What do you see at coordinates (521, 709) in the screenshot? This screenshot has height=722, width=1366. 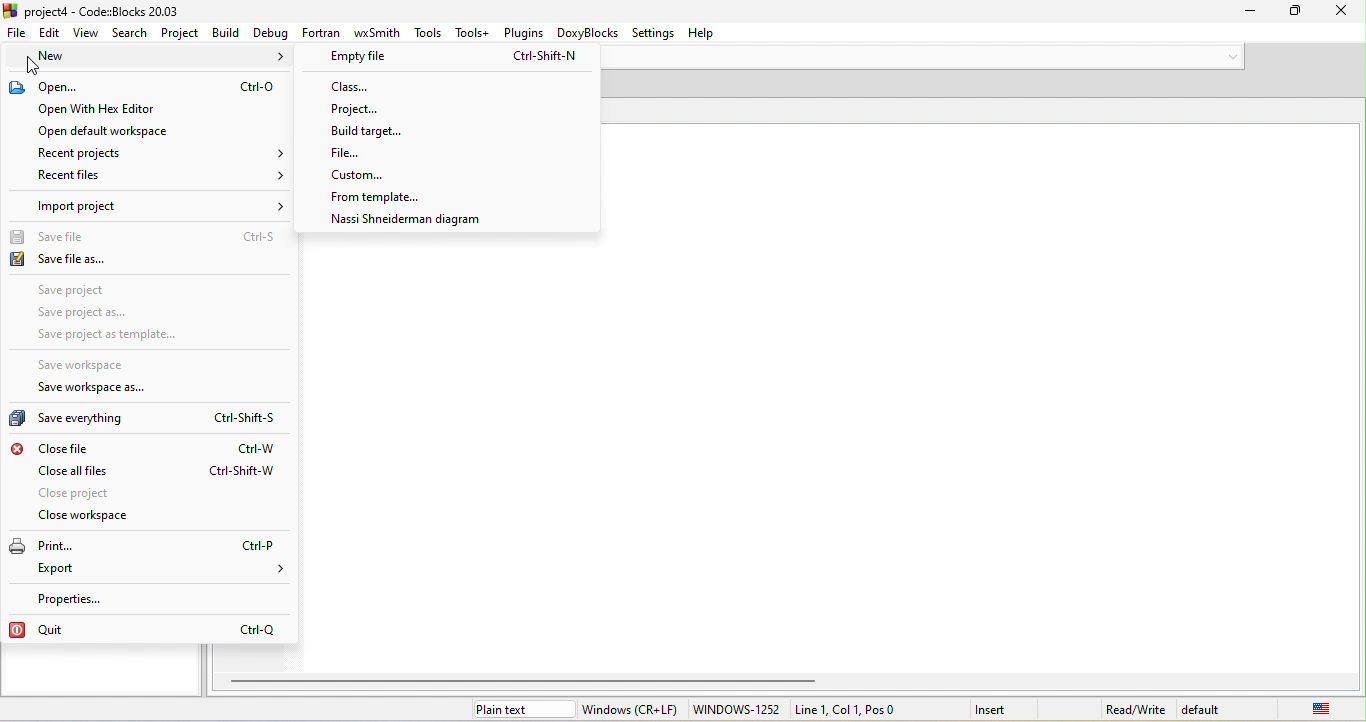 I see `plain text` at bounding box center [521, 709].